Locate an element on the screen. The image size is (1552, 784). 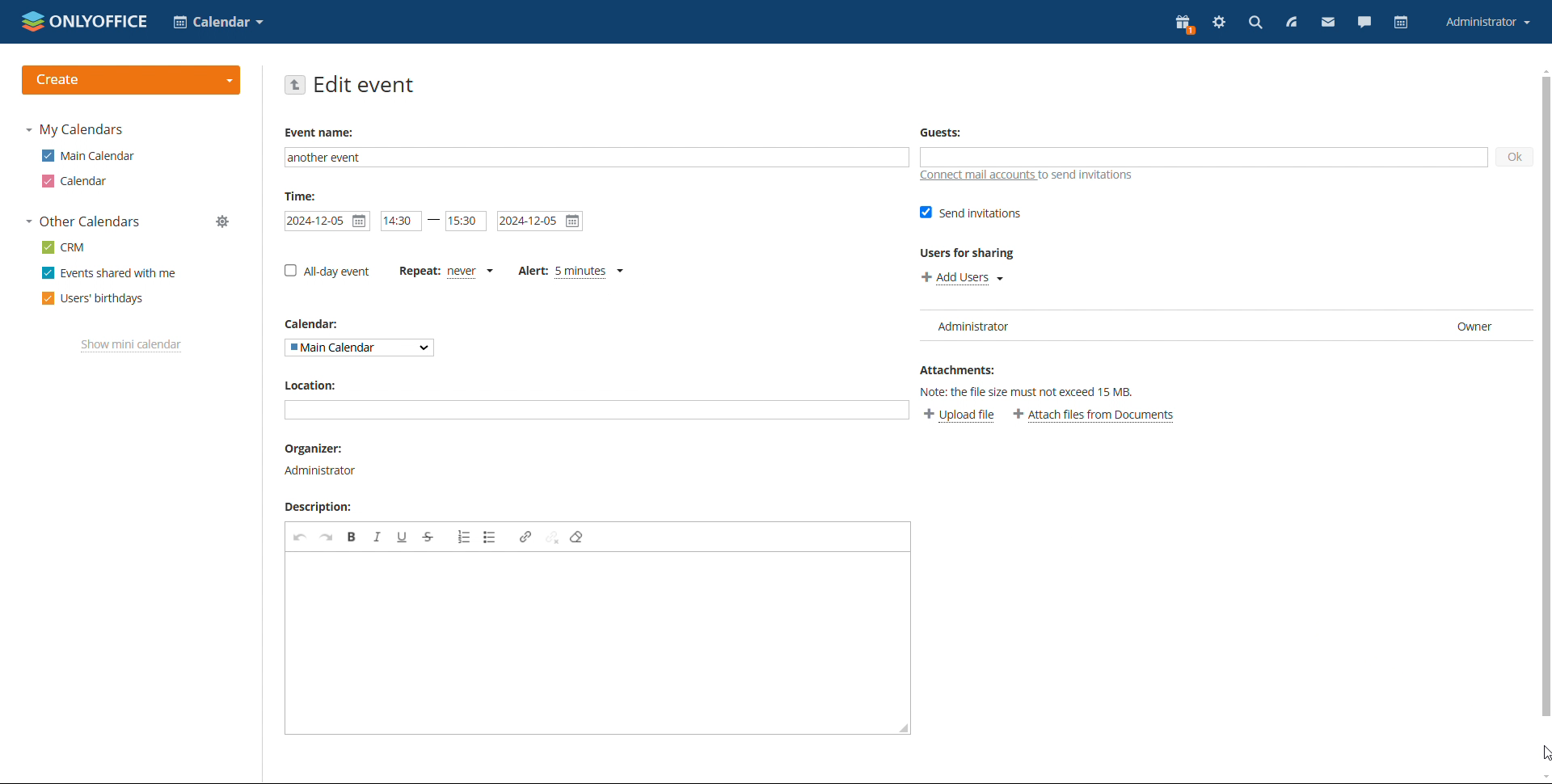
create is located at coordinates (132, 80).